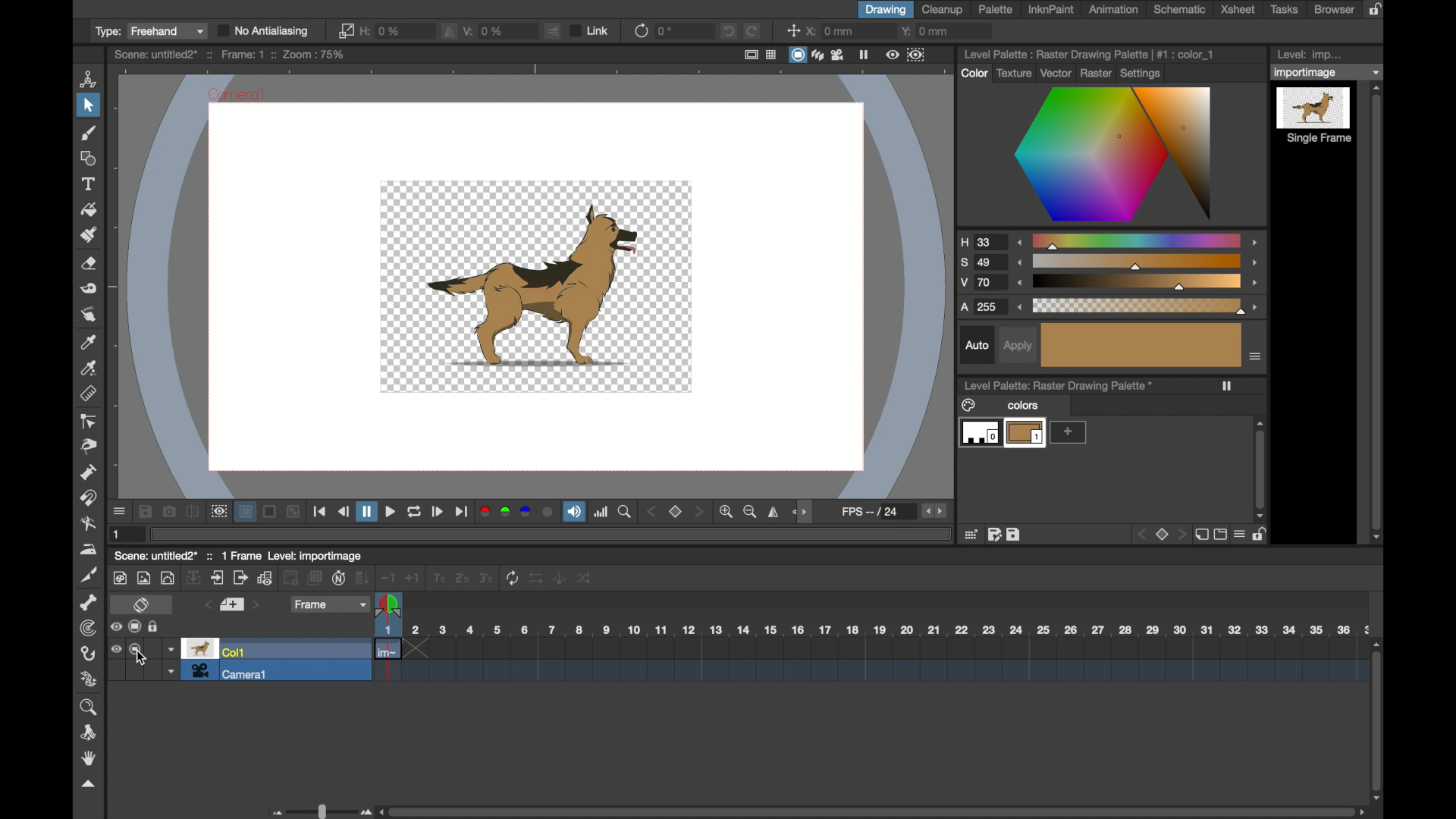 The image size is (1456, 819). Describe the element at coordinates (90, 707) in the screenshot. I see `zoom` at that location.